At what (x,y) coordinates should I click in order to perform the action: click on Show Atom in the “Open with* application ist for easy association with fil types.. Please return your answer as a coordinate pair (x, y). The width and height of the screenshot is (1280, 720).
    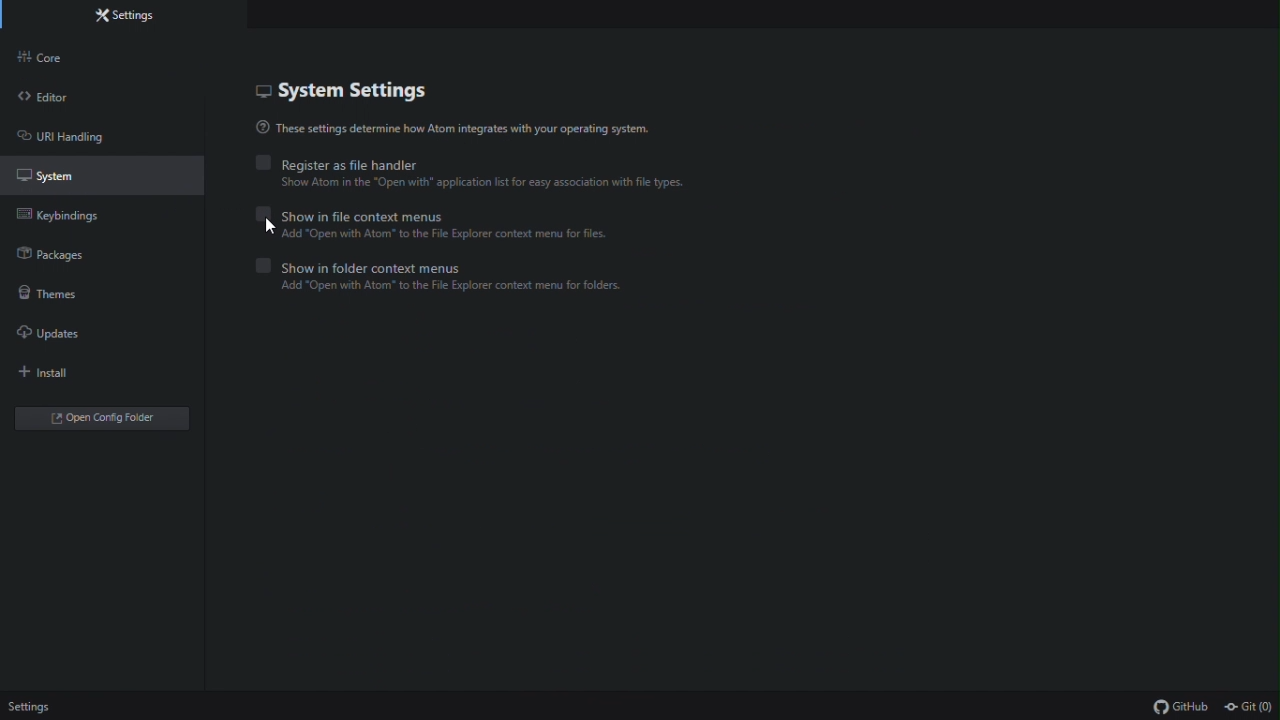
    Looking at the image, I should click on (533, 184).